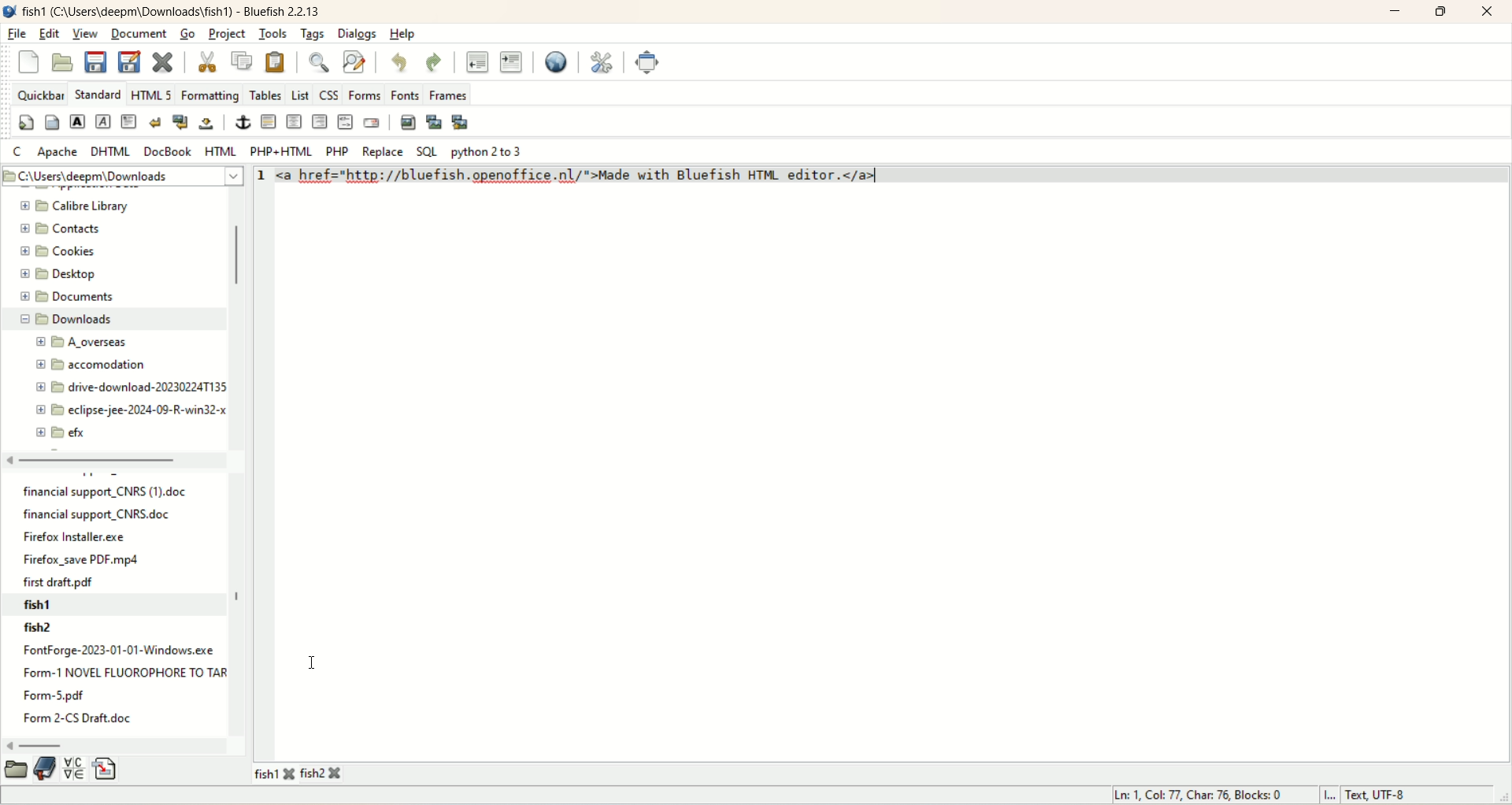 The height and width of the screenshot is (805, 1512). I want to click on emphasize, so click(105, 122).